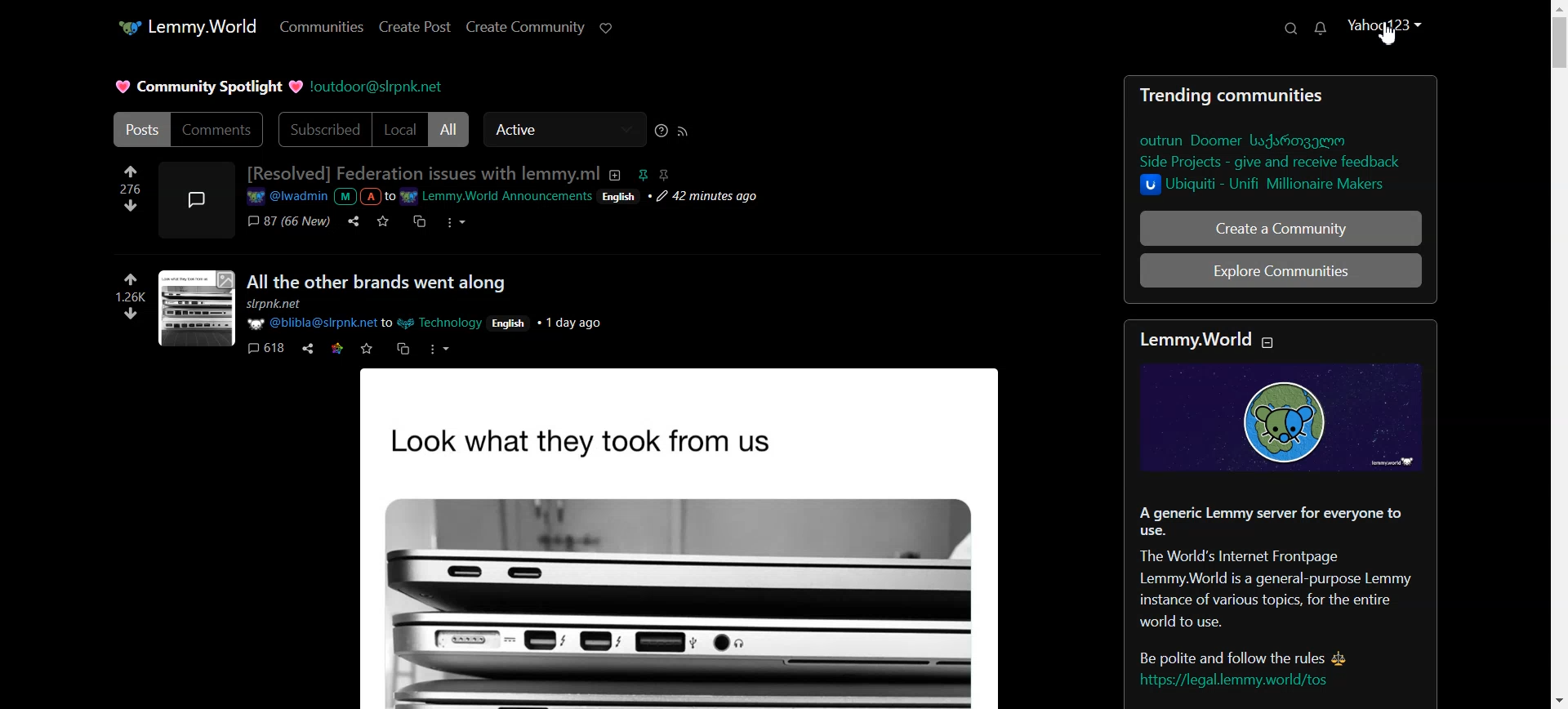  What do you see at coordinates (569, 324) in the screenshot?
I see `1 day ago` at bounding box center [569, 324].